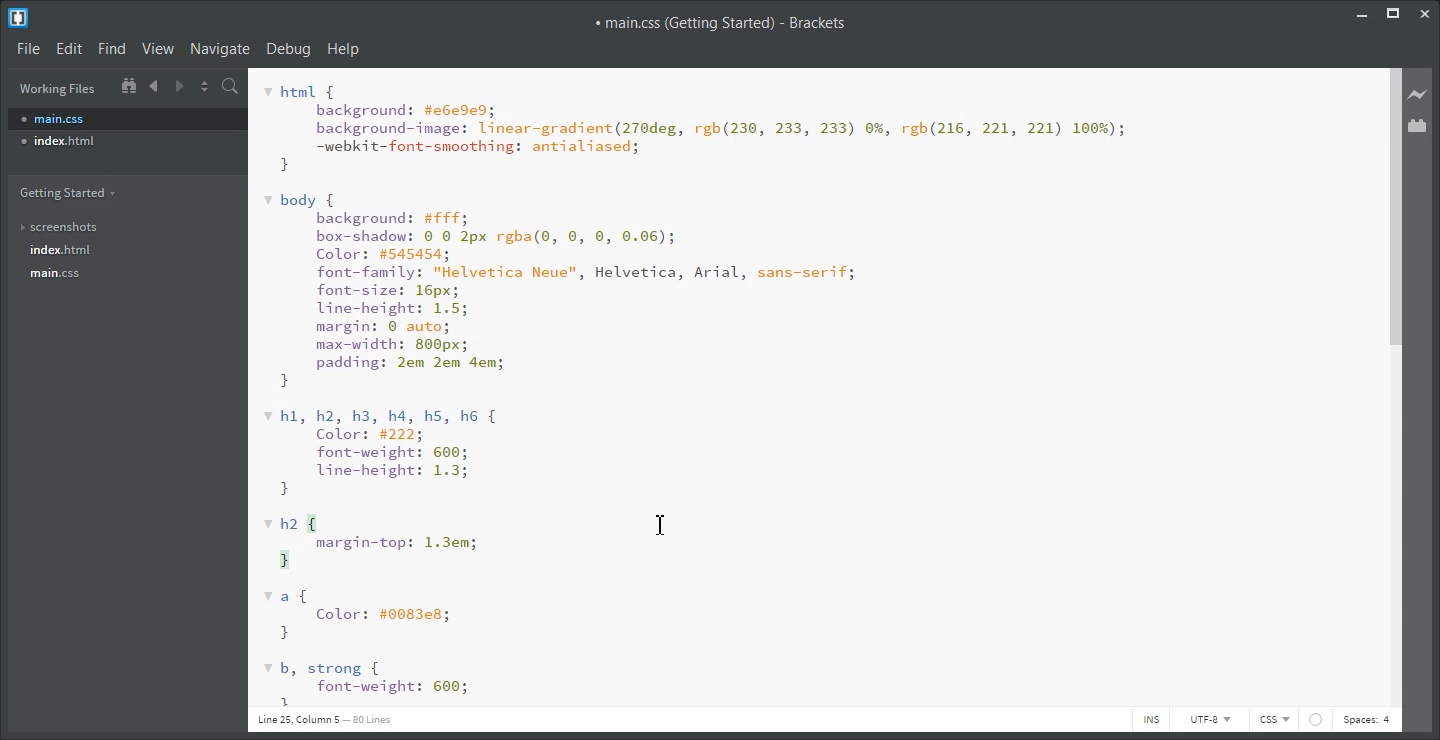 This screenshot has width=1440, height=740. Describe the element at coordinates (126, 141) in the screenshot. I see `index.html` at that location.